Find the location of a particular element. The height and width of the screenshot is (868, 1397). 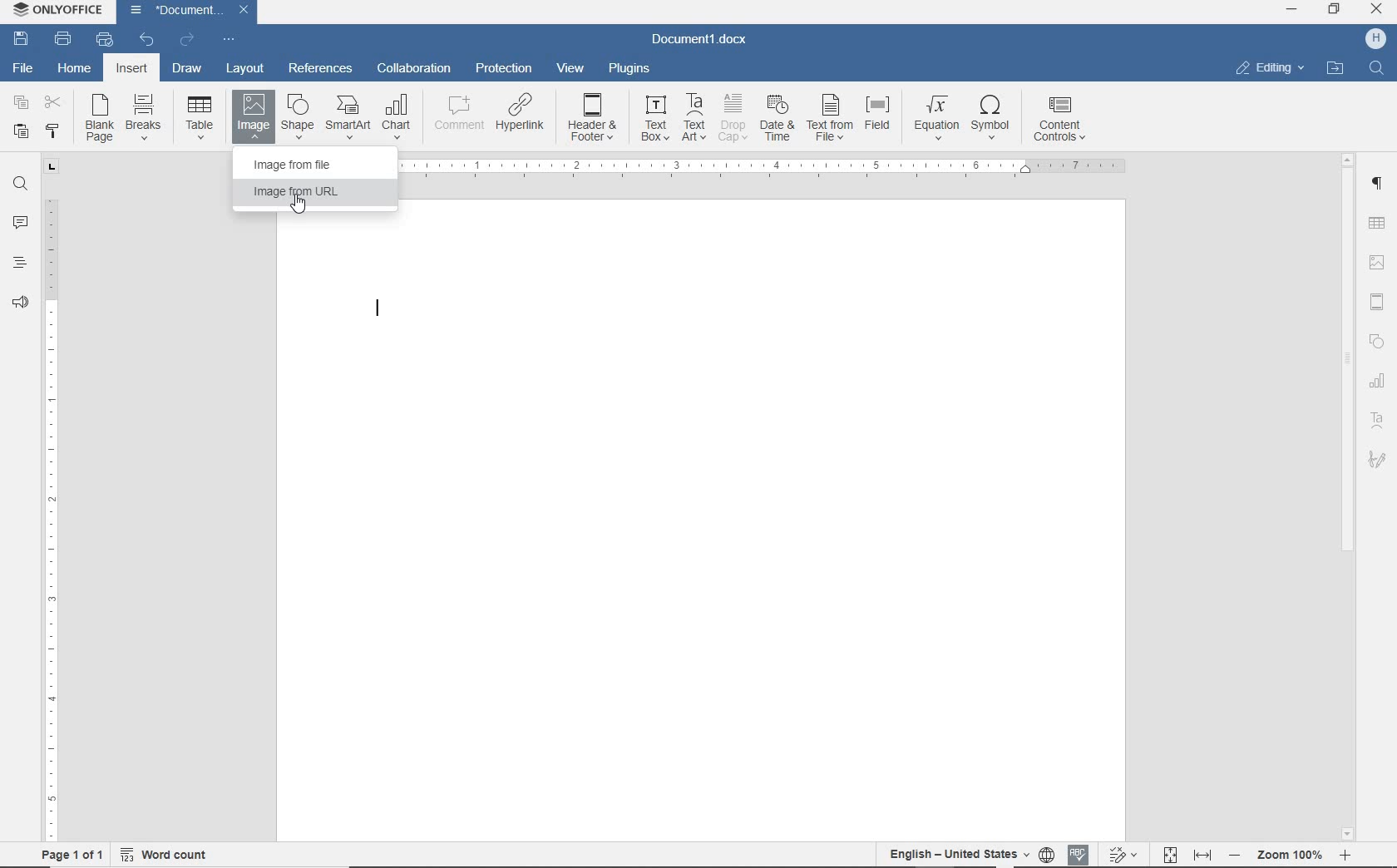

text from file is located at coordinates (831, 117).